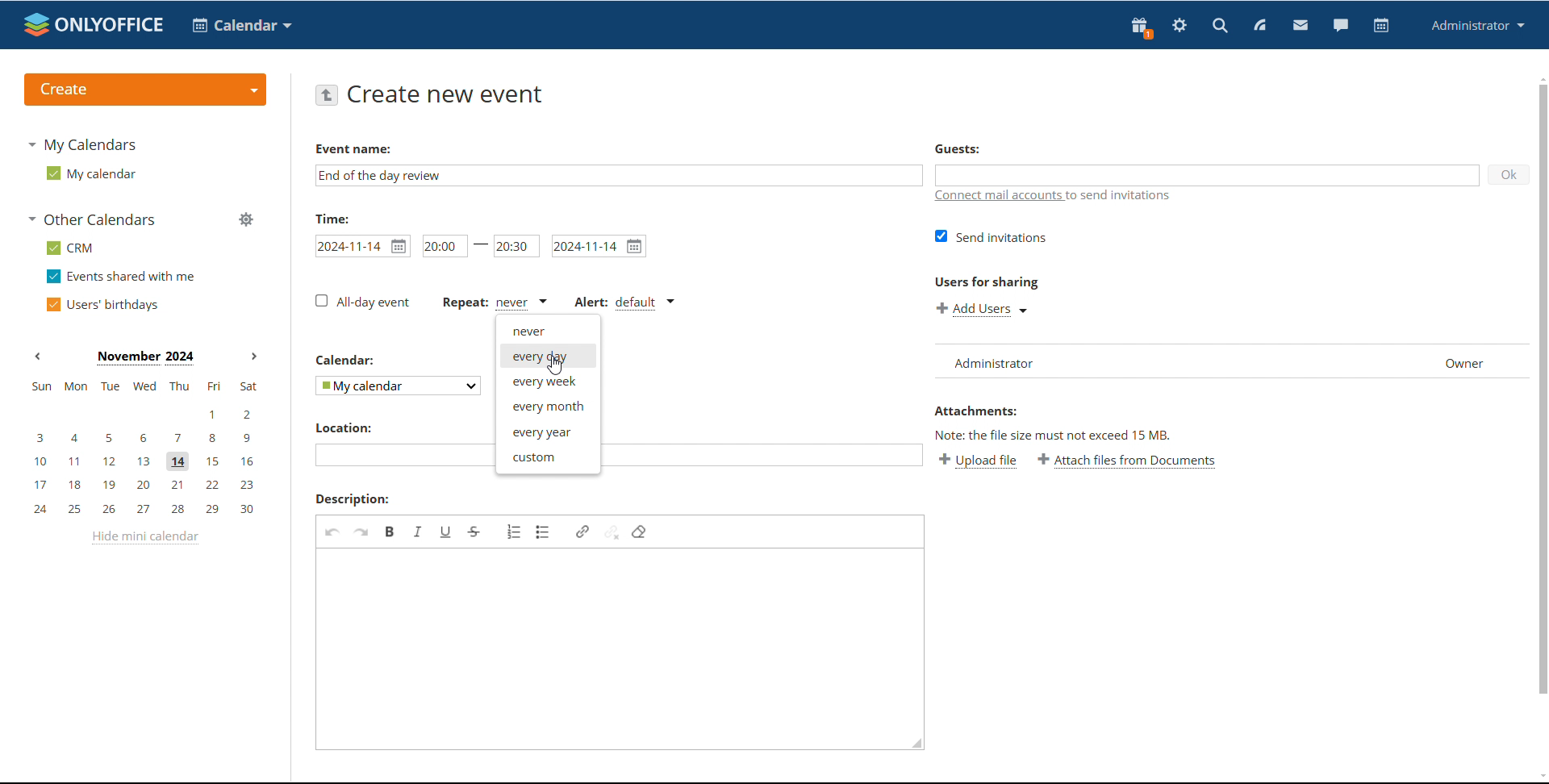 Image resolution: width=1549 pixels, height=784 pixels. Describe the element at coordinates (247, 221) in the screenshot. I see `manage` at that location.